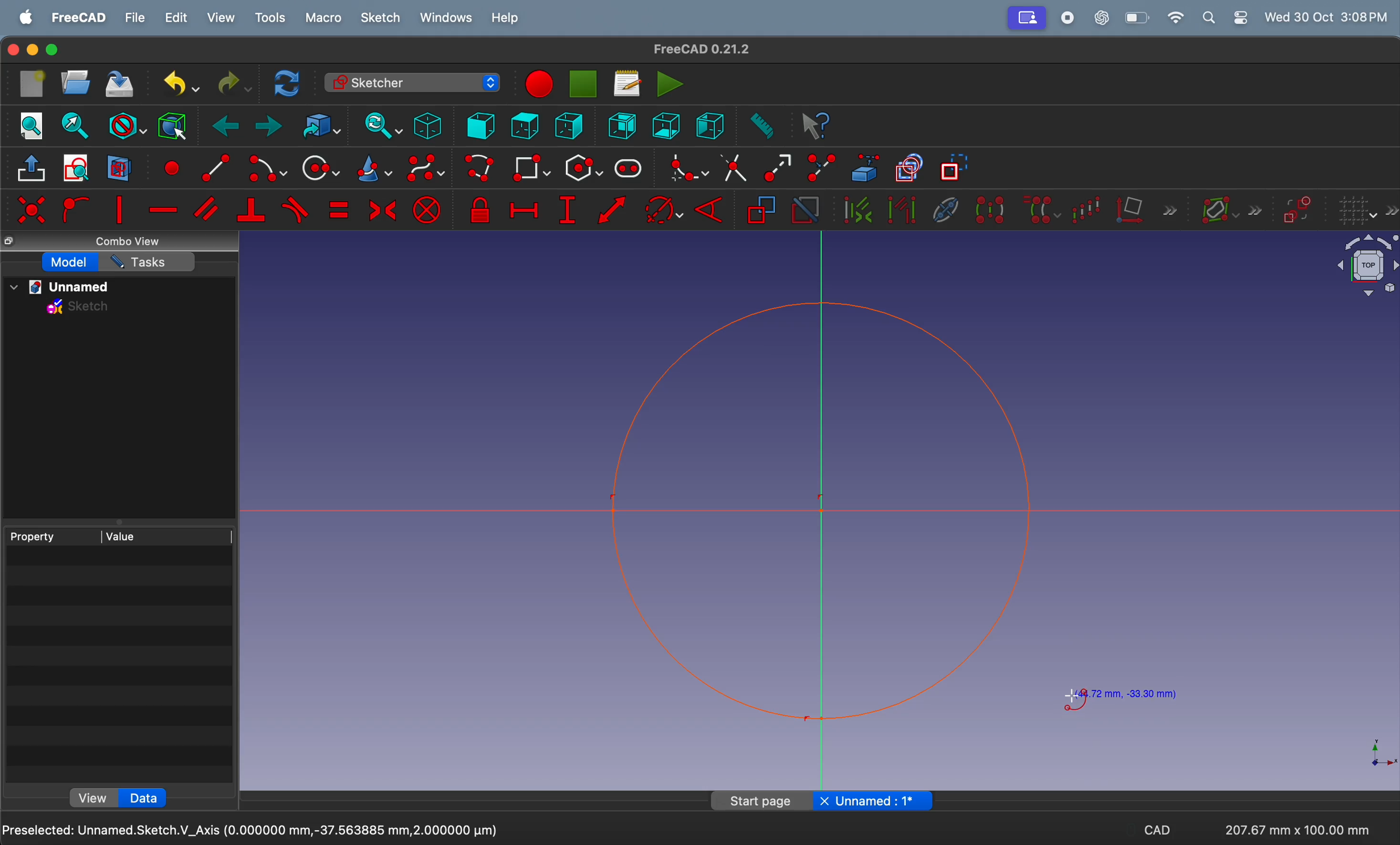  Describe the element at coordinates (482, 125) in the screenshot. I see `front view` at that location.